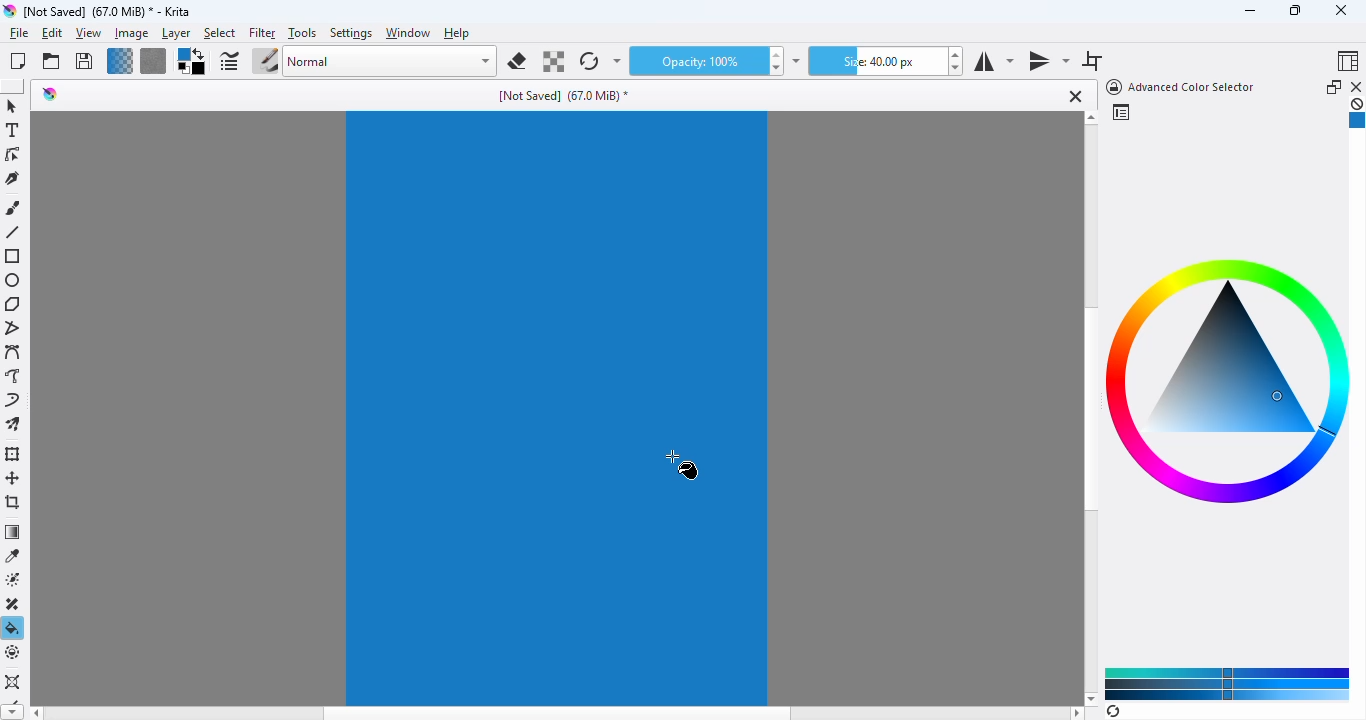 Image resolution: width=1366 pixels, height=720 pixels. Describe the element at coordinates (89, 34) in the screenshot. I see `view` at that location.